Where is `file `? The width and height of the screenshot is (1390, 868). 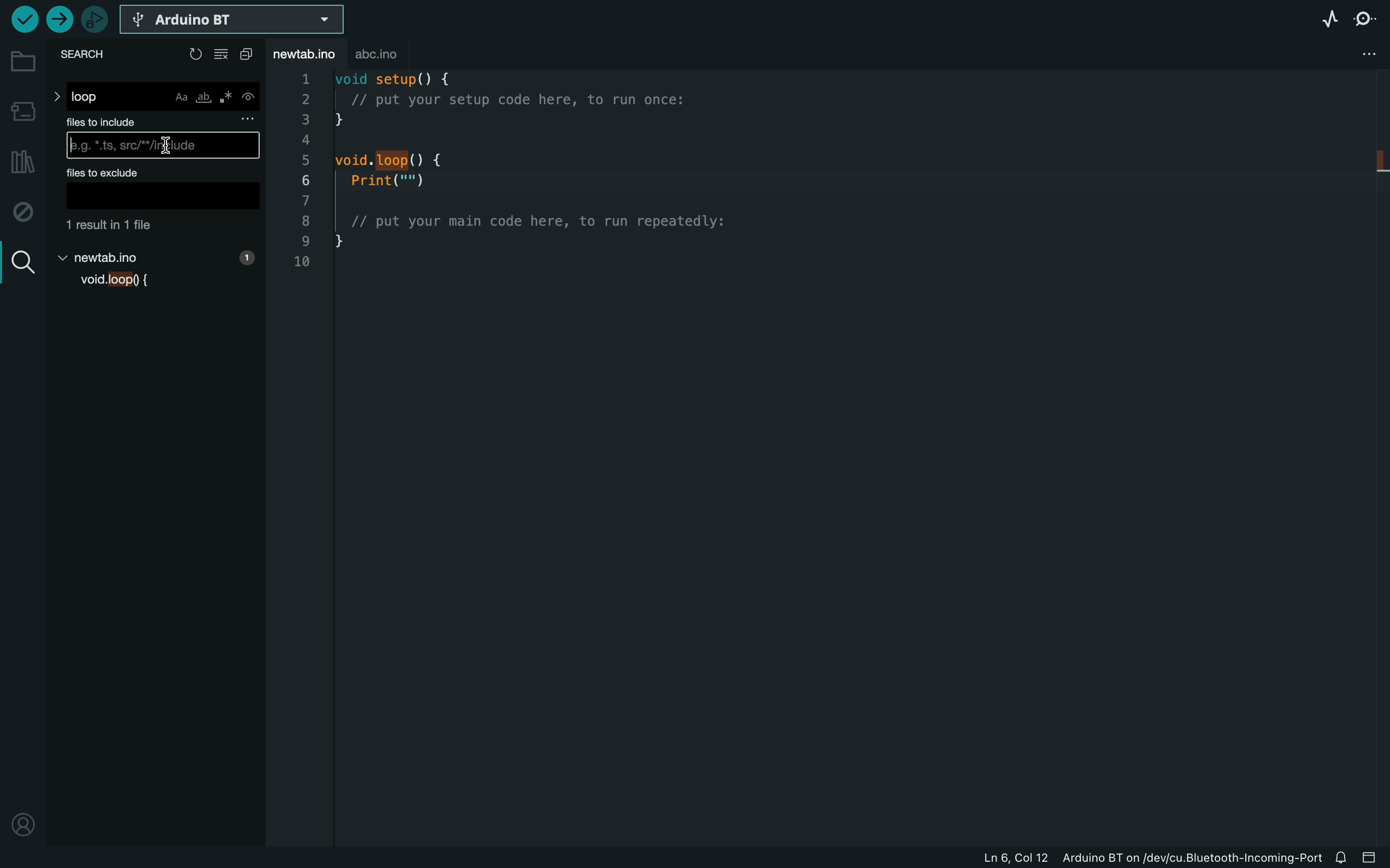
file  is located at coordinates (157, 225).